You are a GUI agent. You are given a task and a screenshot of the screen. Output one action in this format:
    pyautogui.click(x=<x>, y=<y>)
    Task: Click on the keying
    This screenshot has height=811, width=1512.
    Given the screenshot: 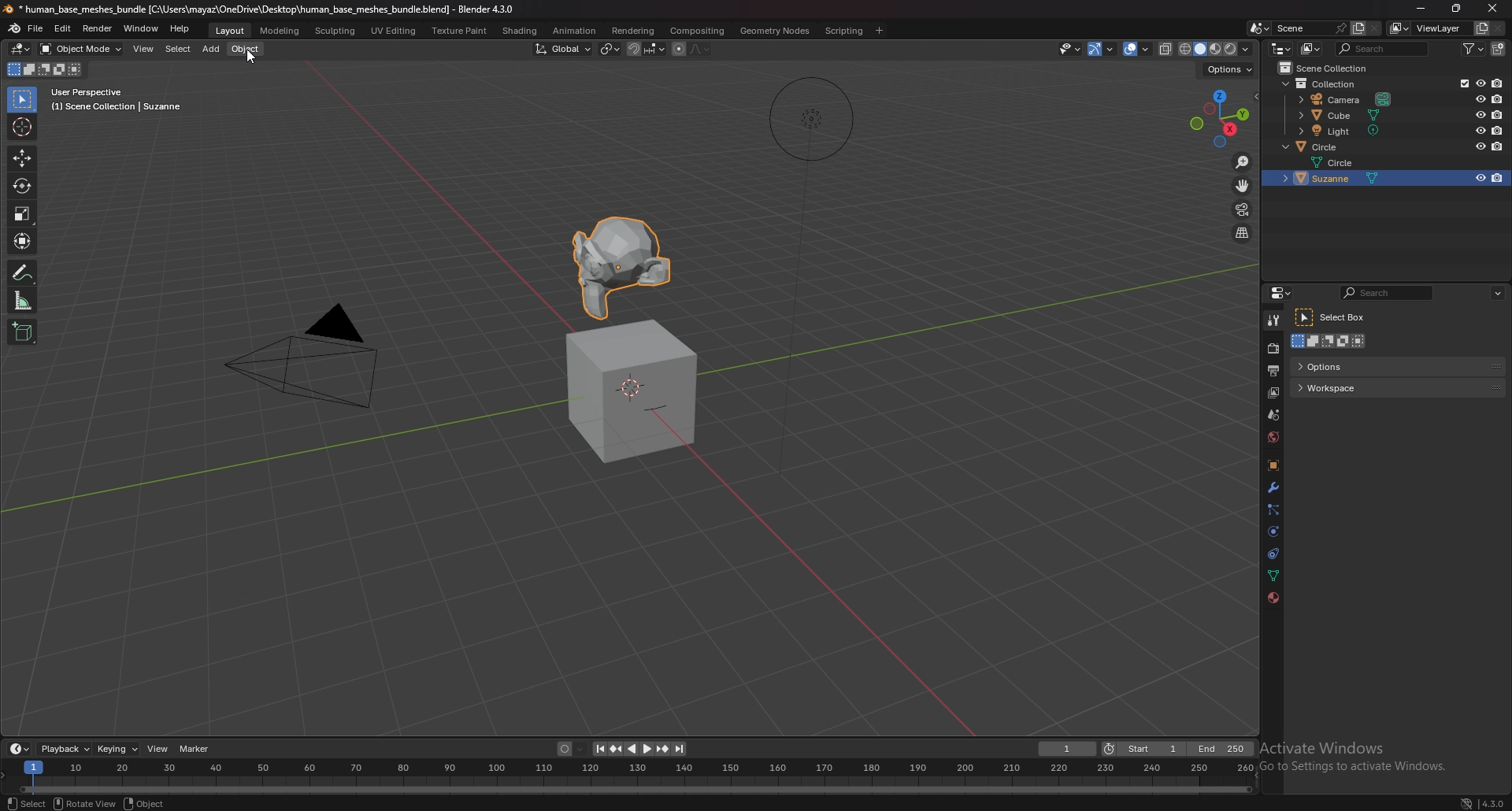 What is the action you would take?
    pyautogui.click(x=117, y=748)
    